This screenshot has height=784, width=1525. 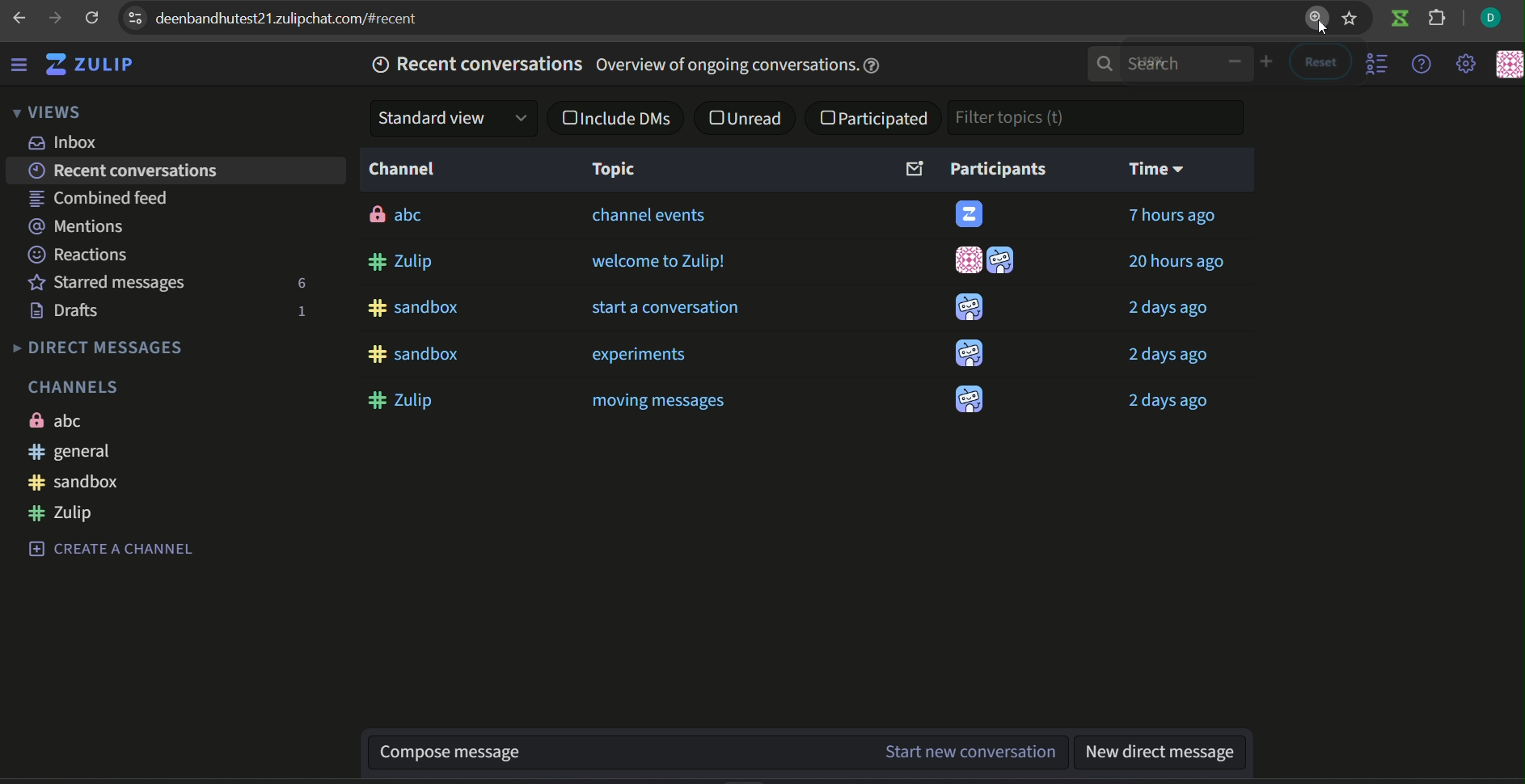 What do you see at coordinates (999, 169) in the screenshot?
I see `Participants` at bounding box center [999, 169].